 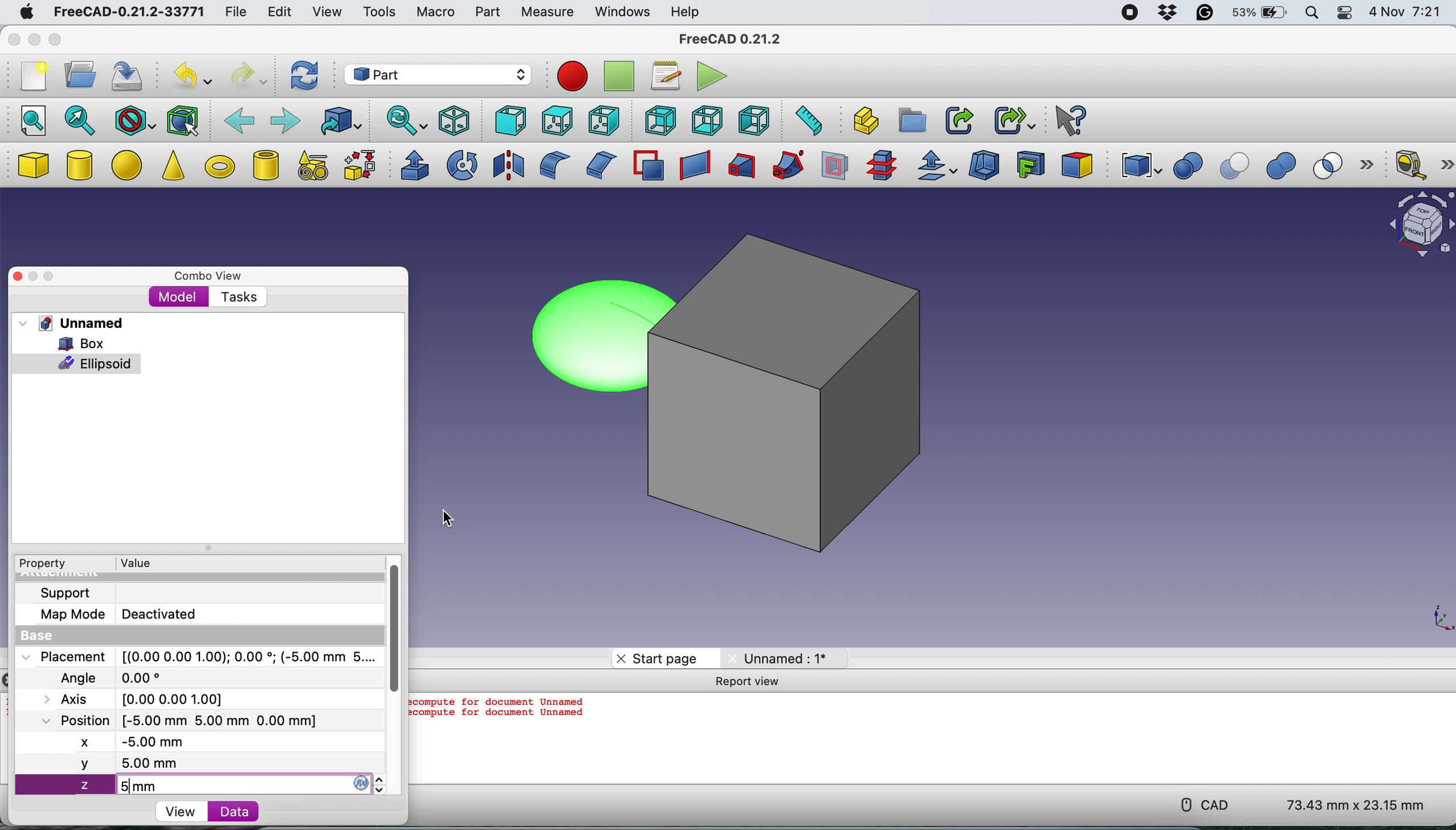 I want to click on record macros, so click(x=572, y=76).